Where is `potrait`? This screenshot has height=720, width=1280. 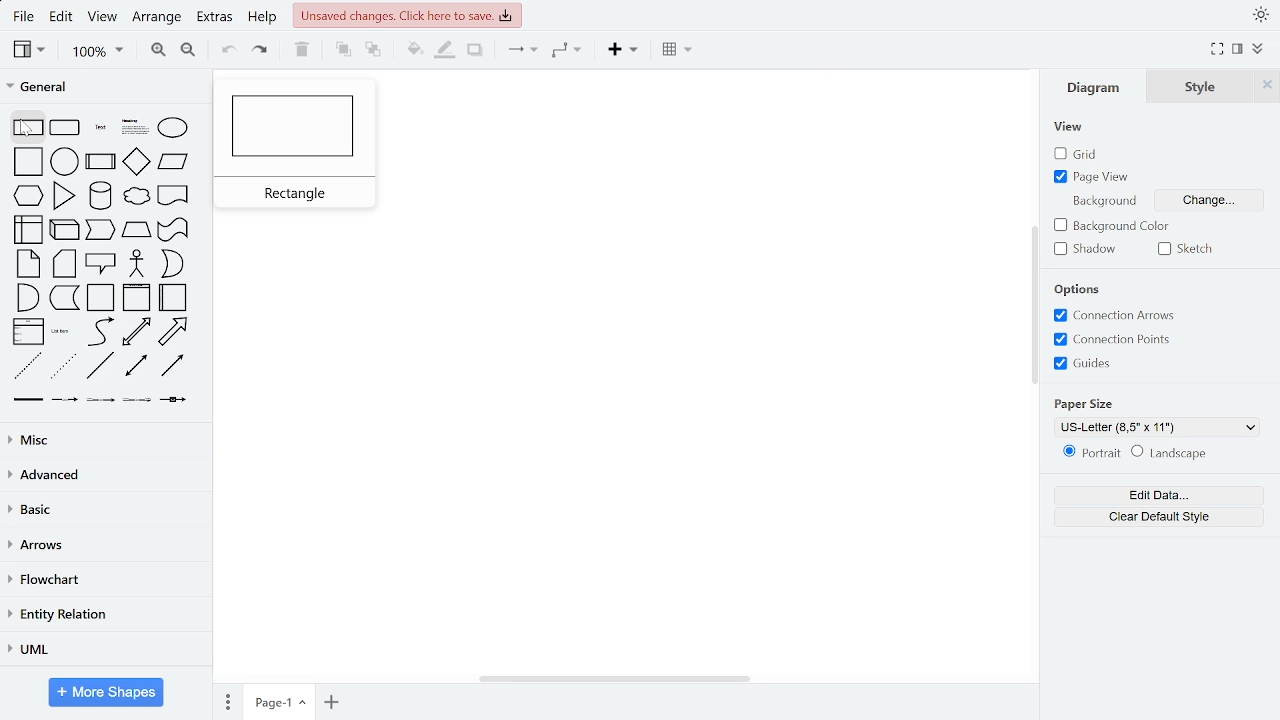 potrait is located at coordinates (1091, 455).